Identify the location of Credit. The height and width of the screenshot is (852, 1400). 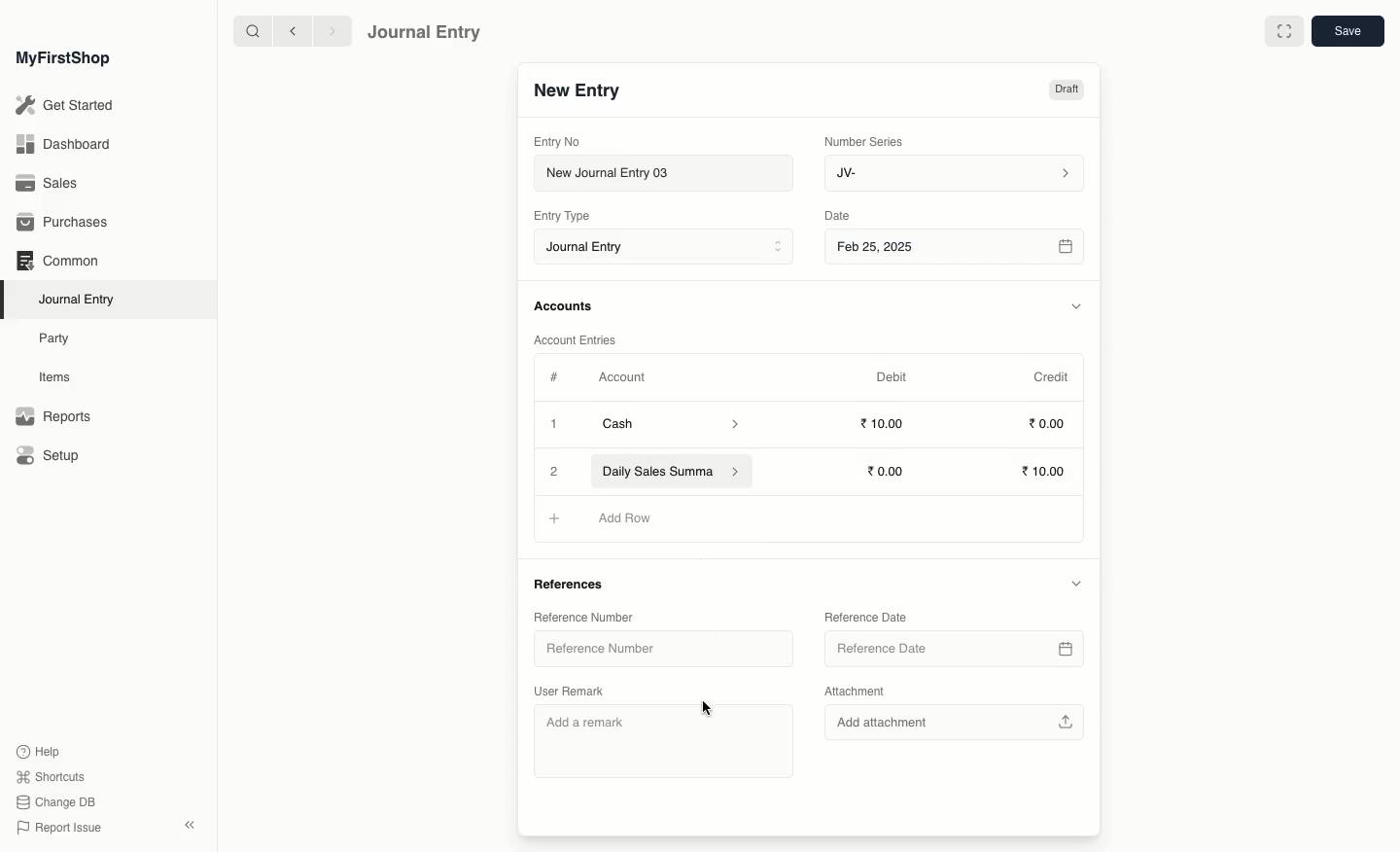
(1050, 375).